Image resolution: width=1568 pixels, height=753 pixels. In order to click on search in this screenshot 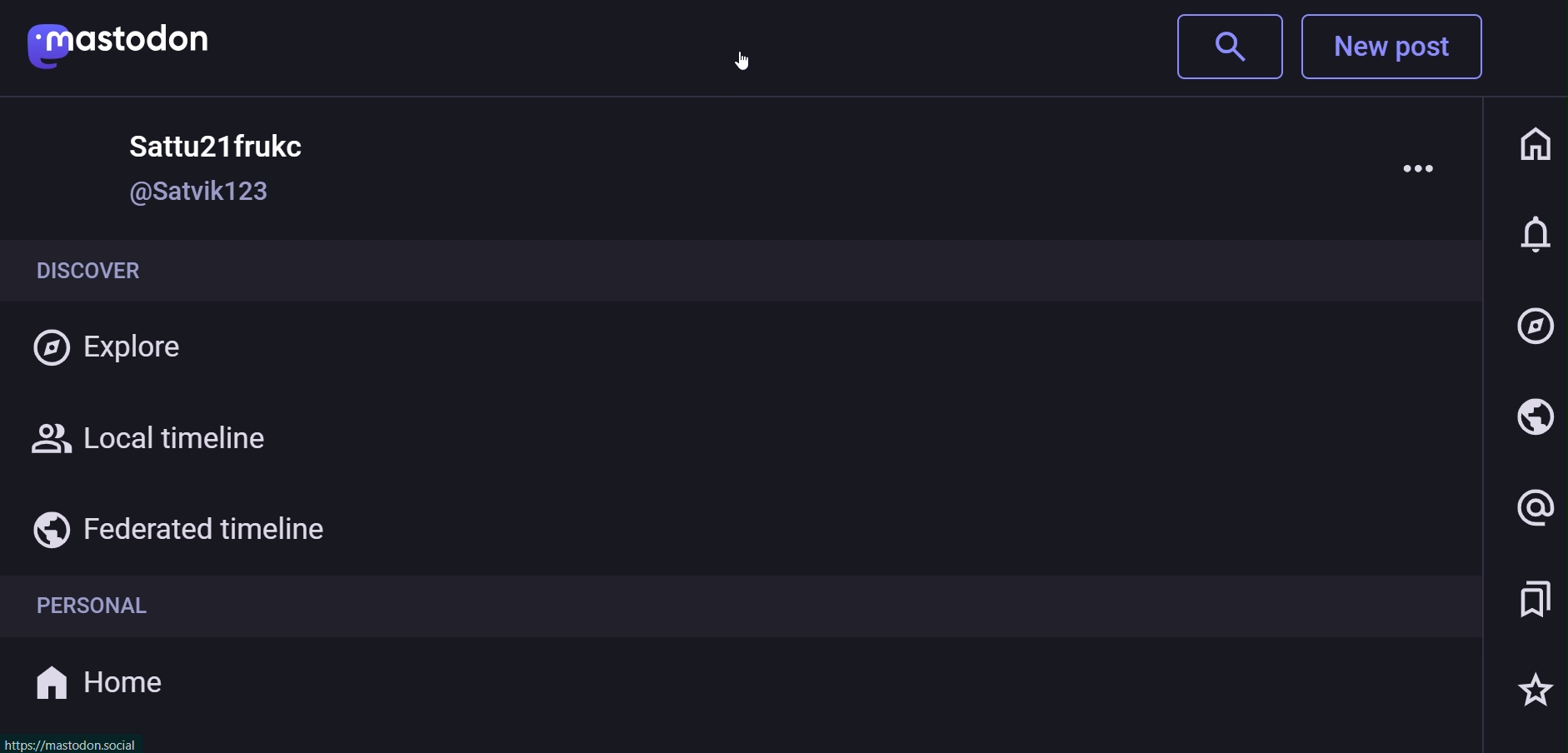, I will do `click(1226, 47)`.